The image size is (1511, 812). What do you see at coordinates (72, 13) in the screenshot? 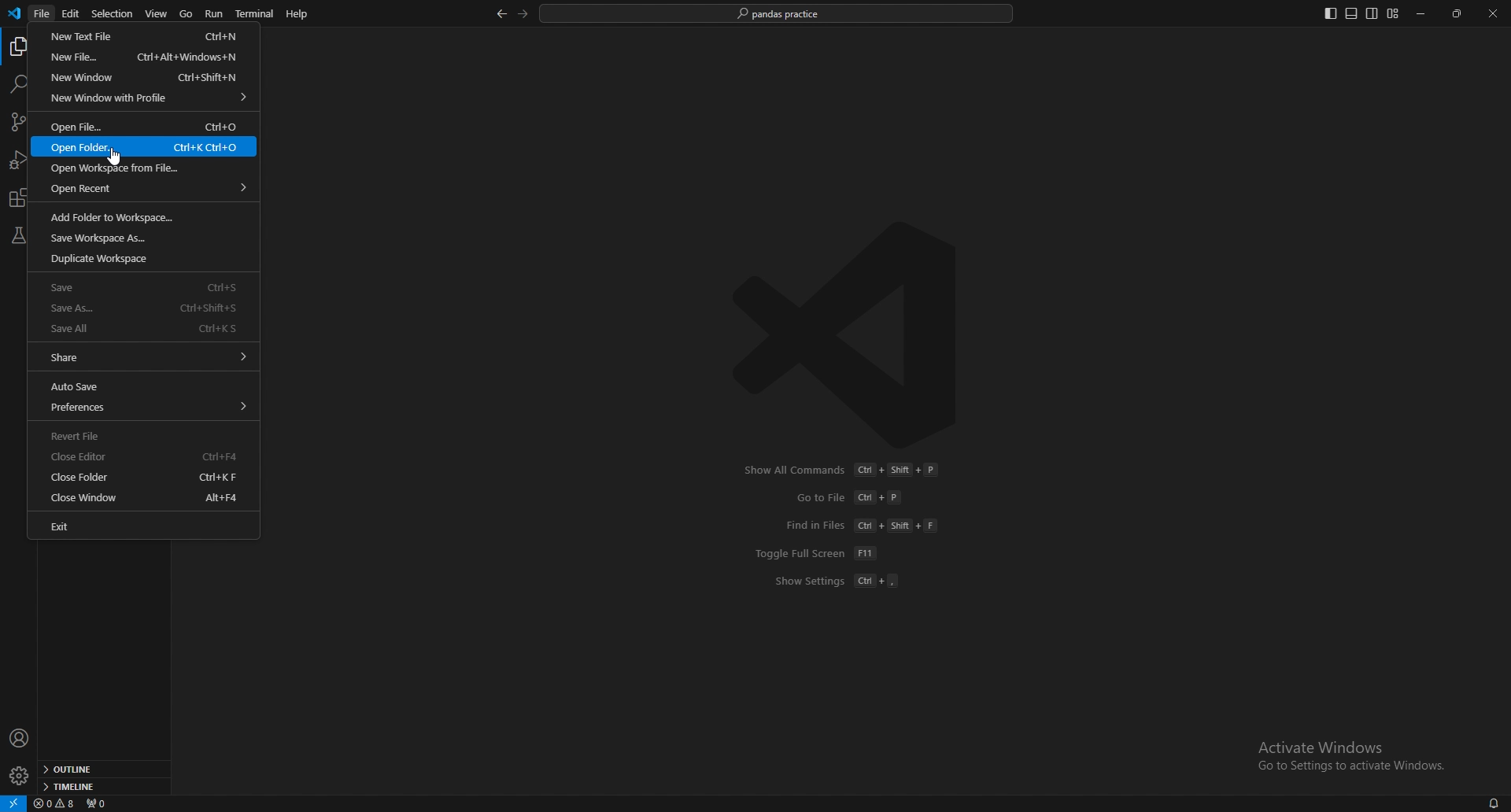
I see `edit` at bounding box center [72, 13].